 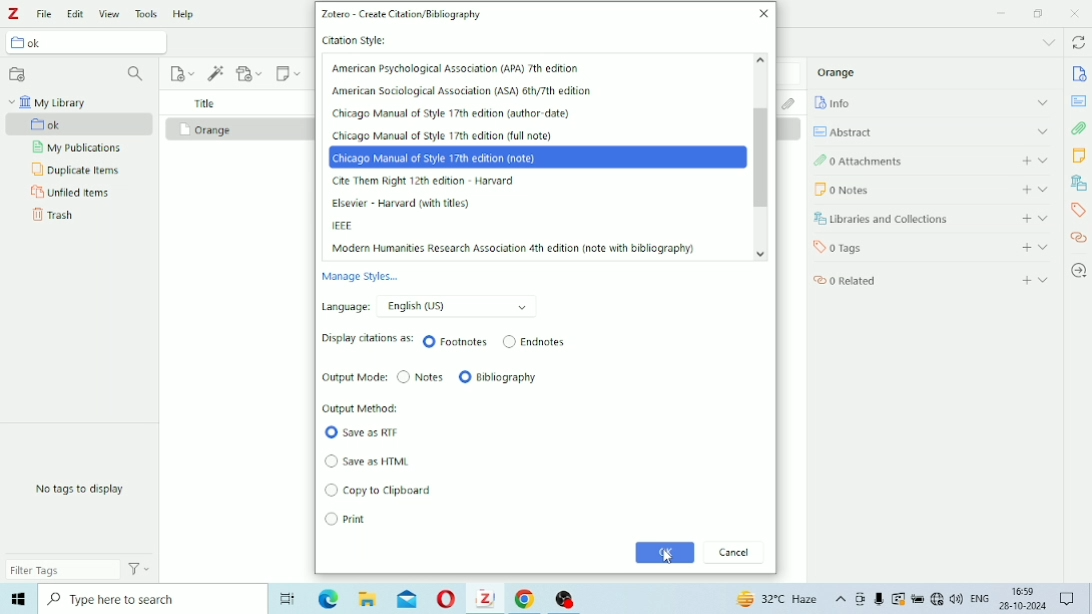 I want to click on Charging, plugged in, so click(x=918, y=599).